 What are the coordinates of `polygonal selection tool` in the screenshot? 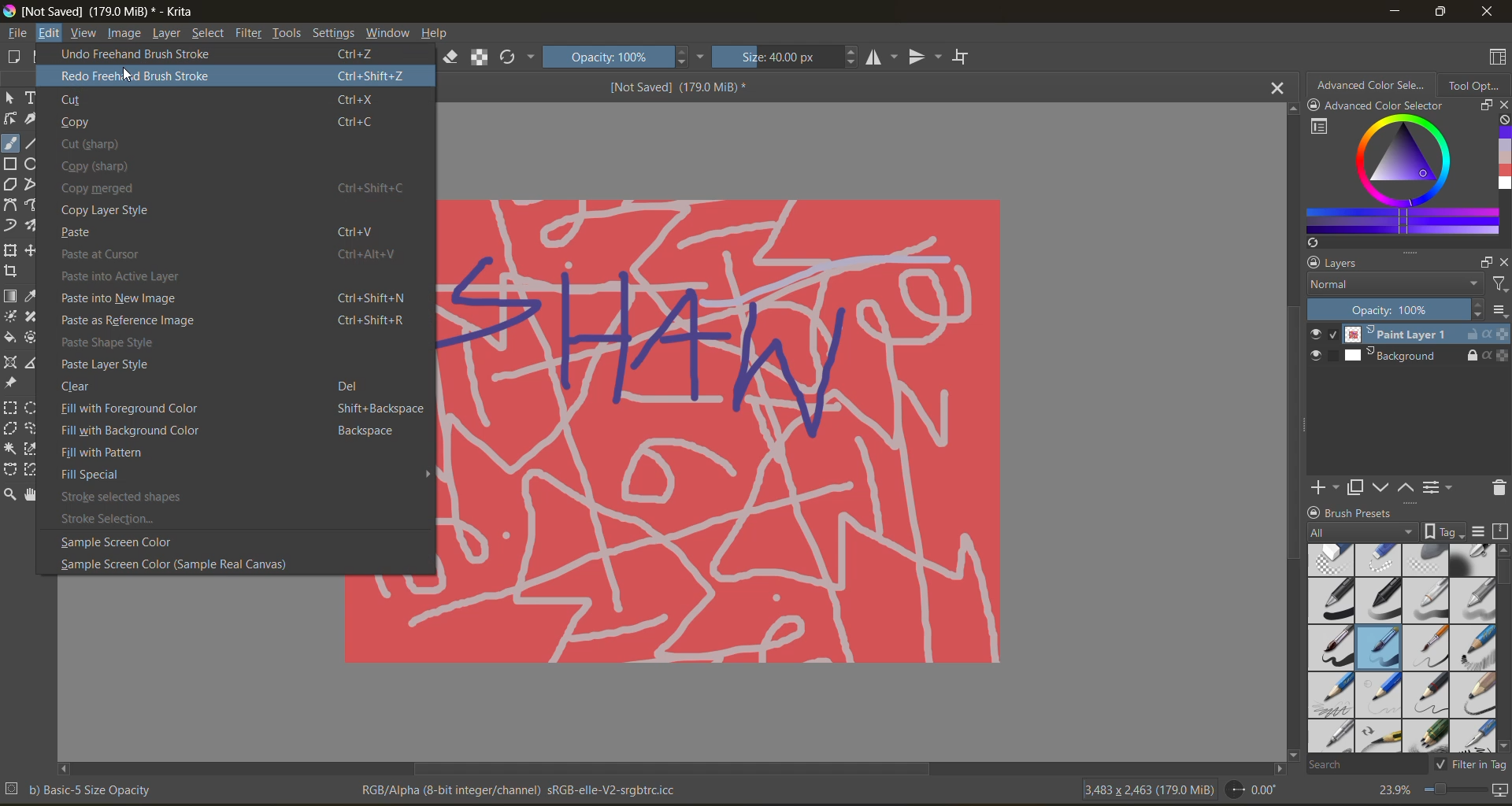 It's located at (11, 428).